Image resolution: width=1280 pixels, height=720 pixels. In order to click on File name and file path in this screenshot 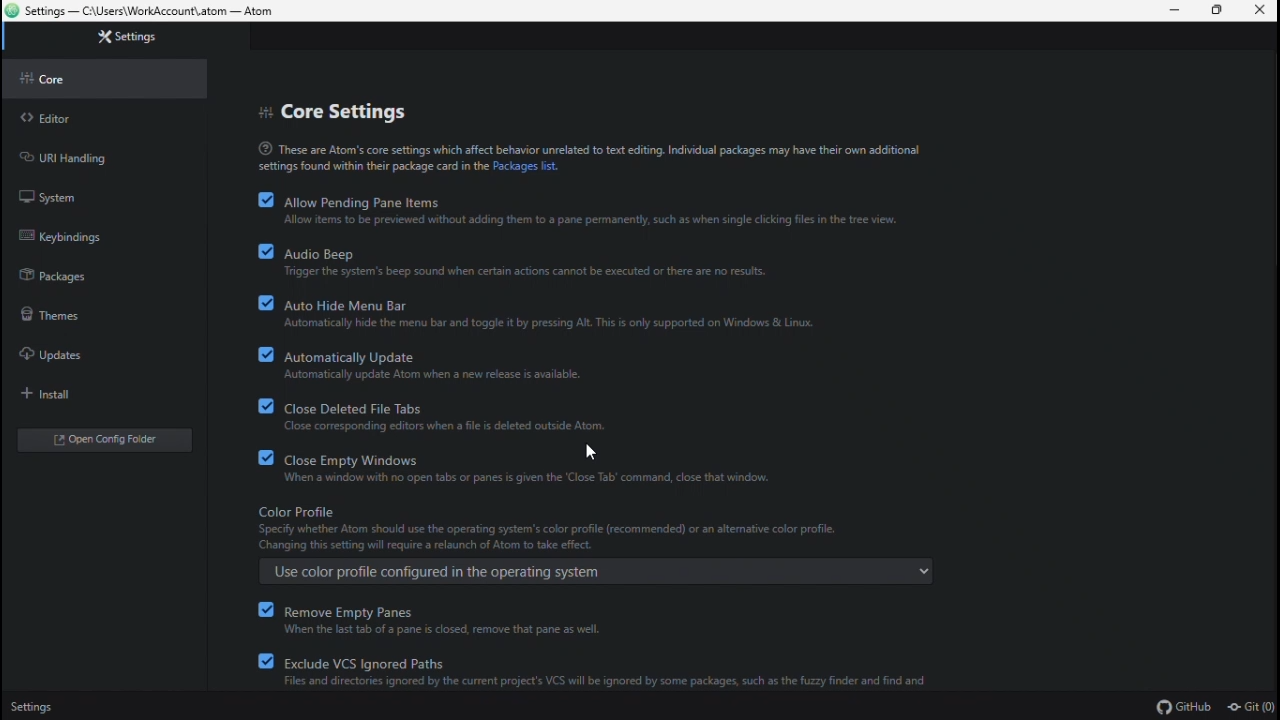, I will do `click(141, 12)`.